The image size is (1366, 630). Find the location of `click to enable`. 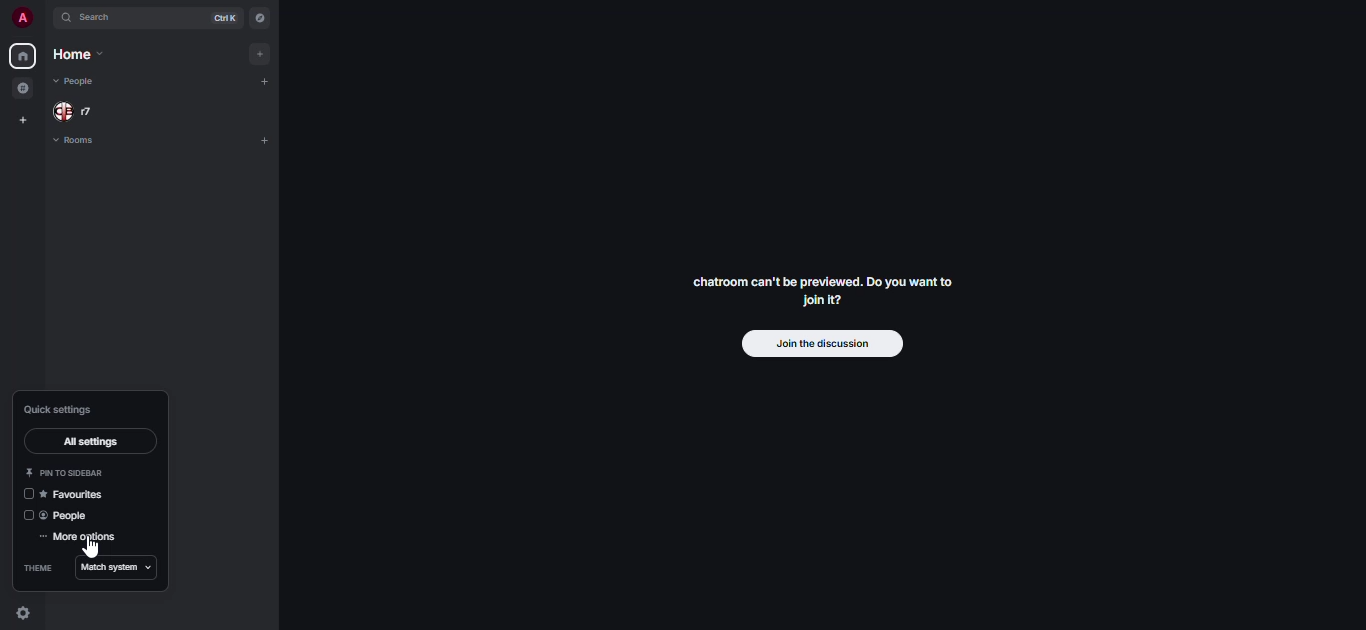

click to enable is located at coordinates (28, 495).